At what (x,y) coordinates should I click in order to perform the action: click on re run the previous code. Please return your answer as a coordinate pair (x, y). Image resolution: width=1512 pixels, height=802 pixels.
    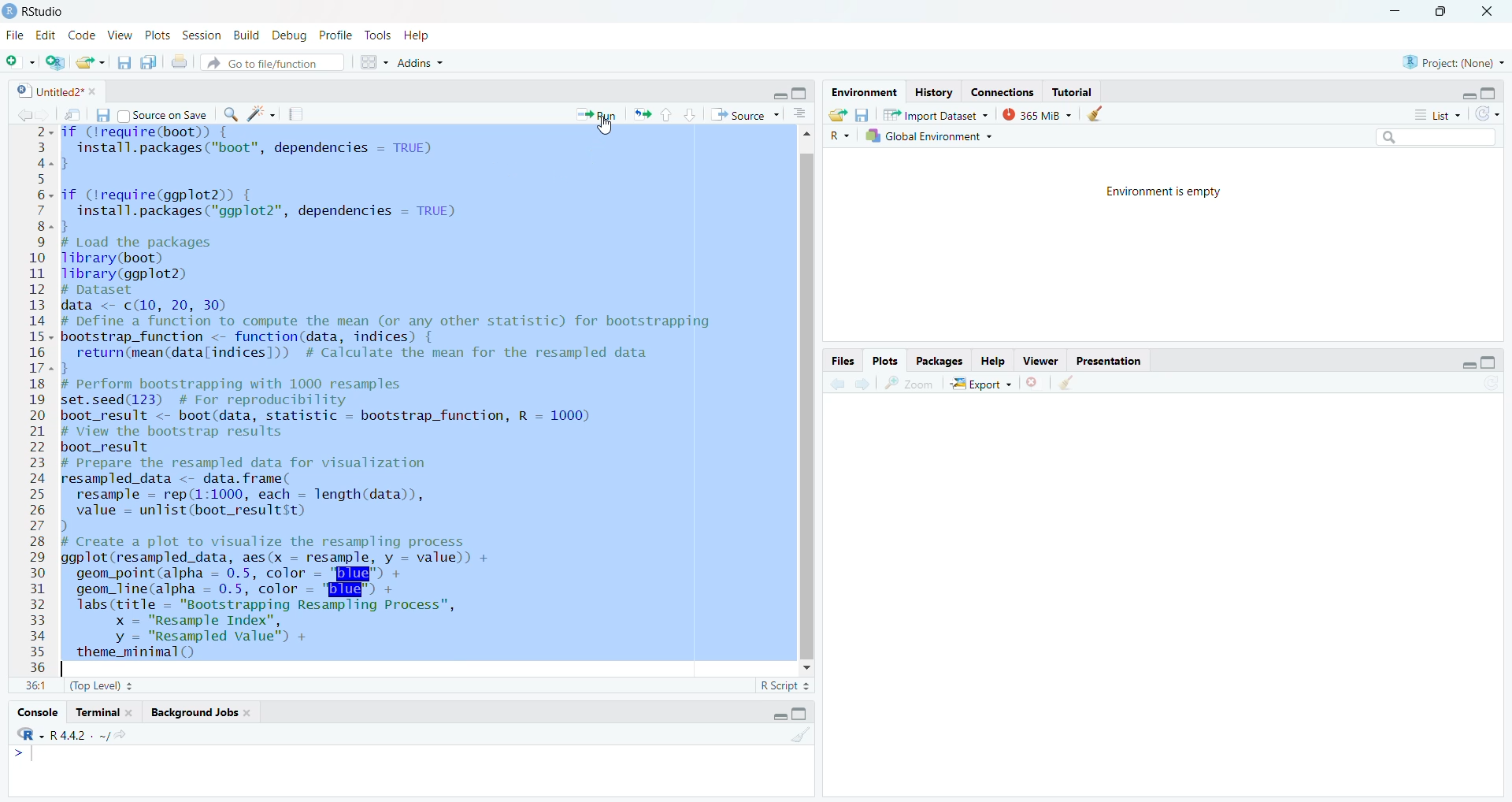
    Looking at the image, I should click on (640, 113).